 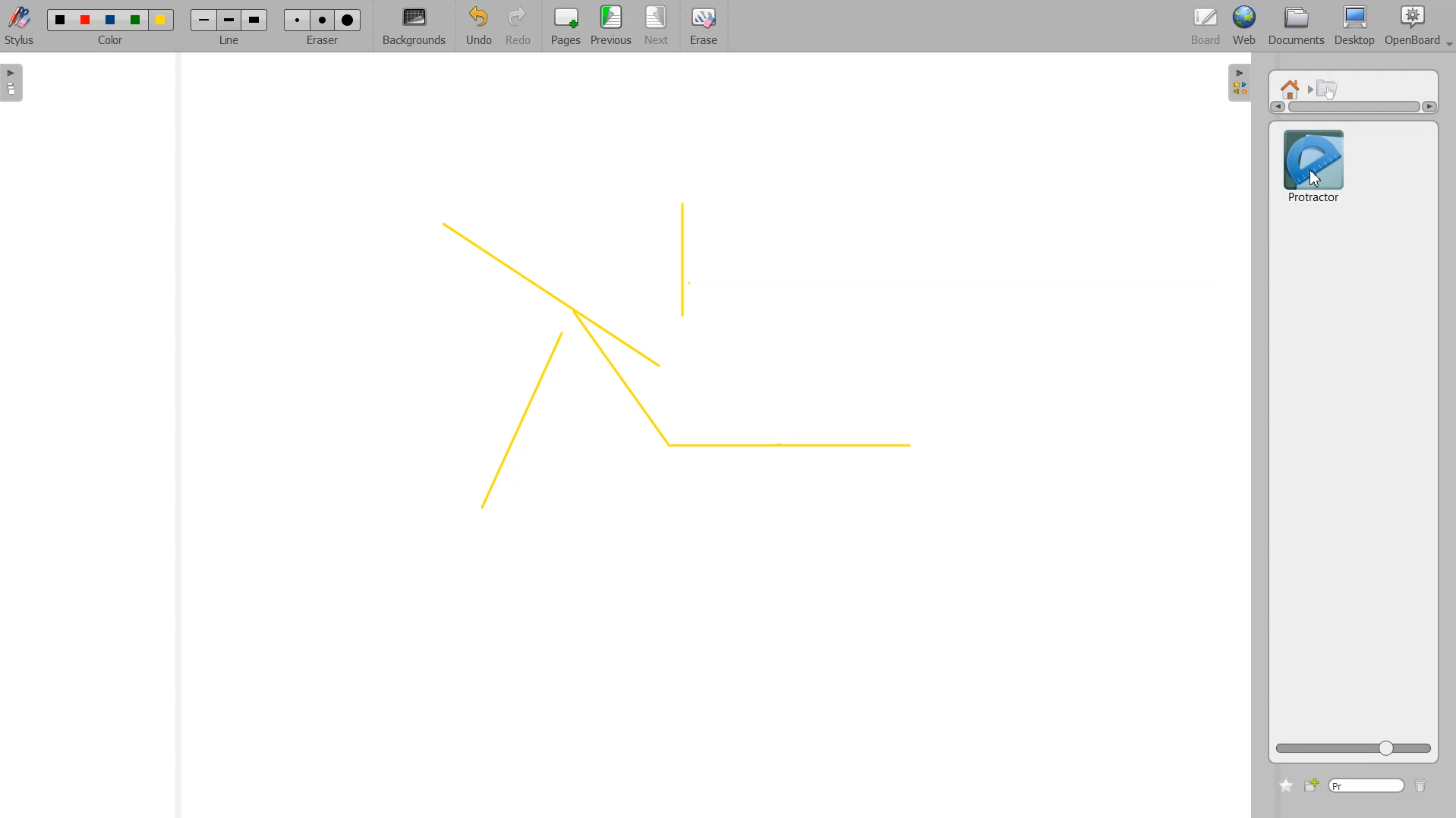 I want to click on color, so click(x=112, y=42).